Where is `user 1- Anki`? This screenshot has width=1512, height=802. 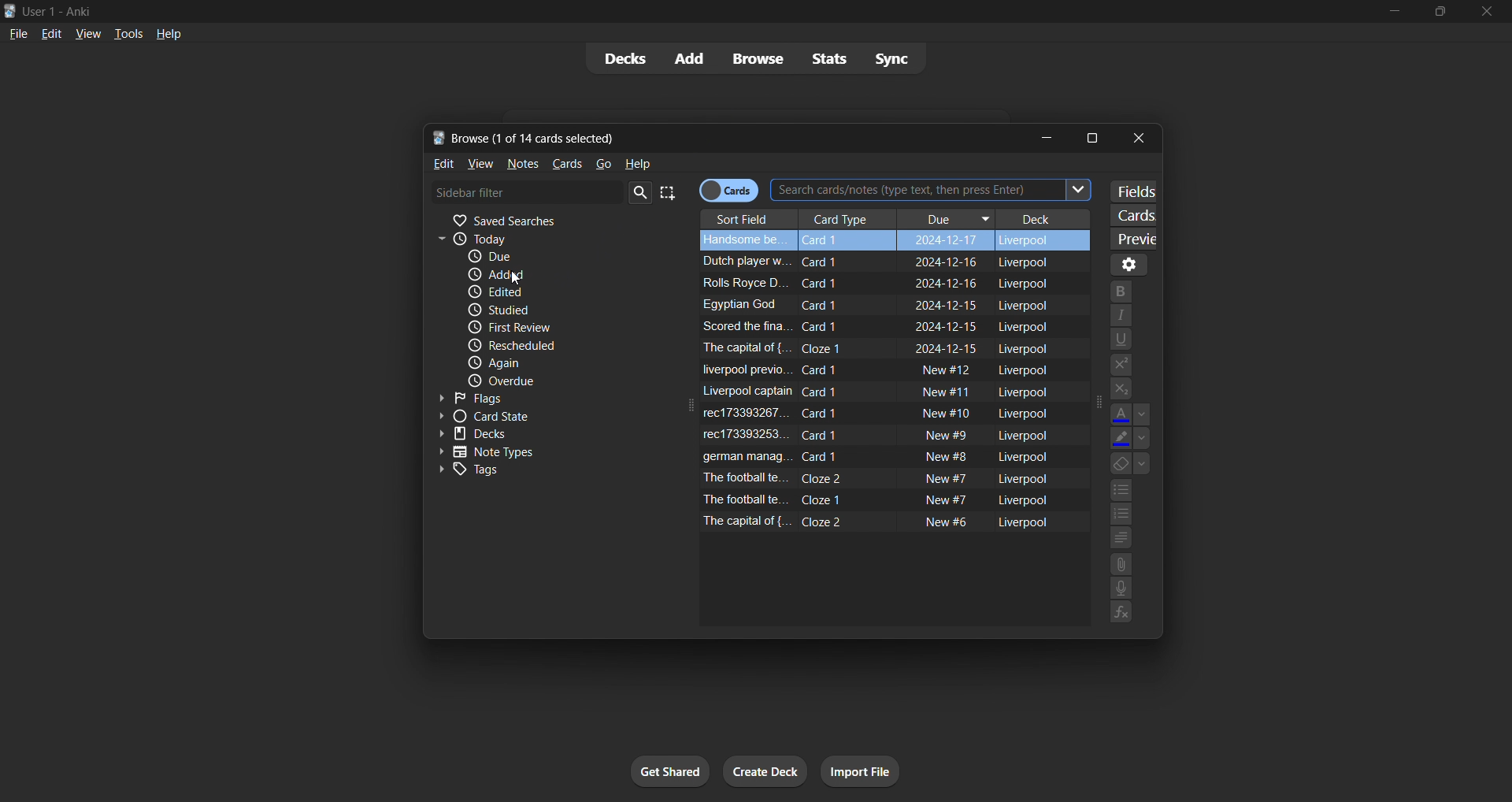 user 1- Anki is located at coordinates (680, 9).